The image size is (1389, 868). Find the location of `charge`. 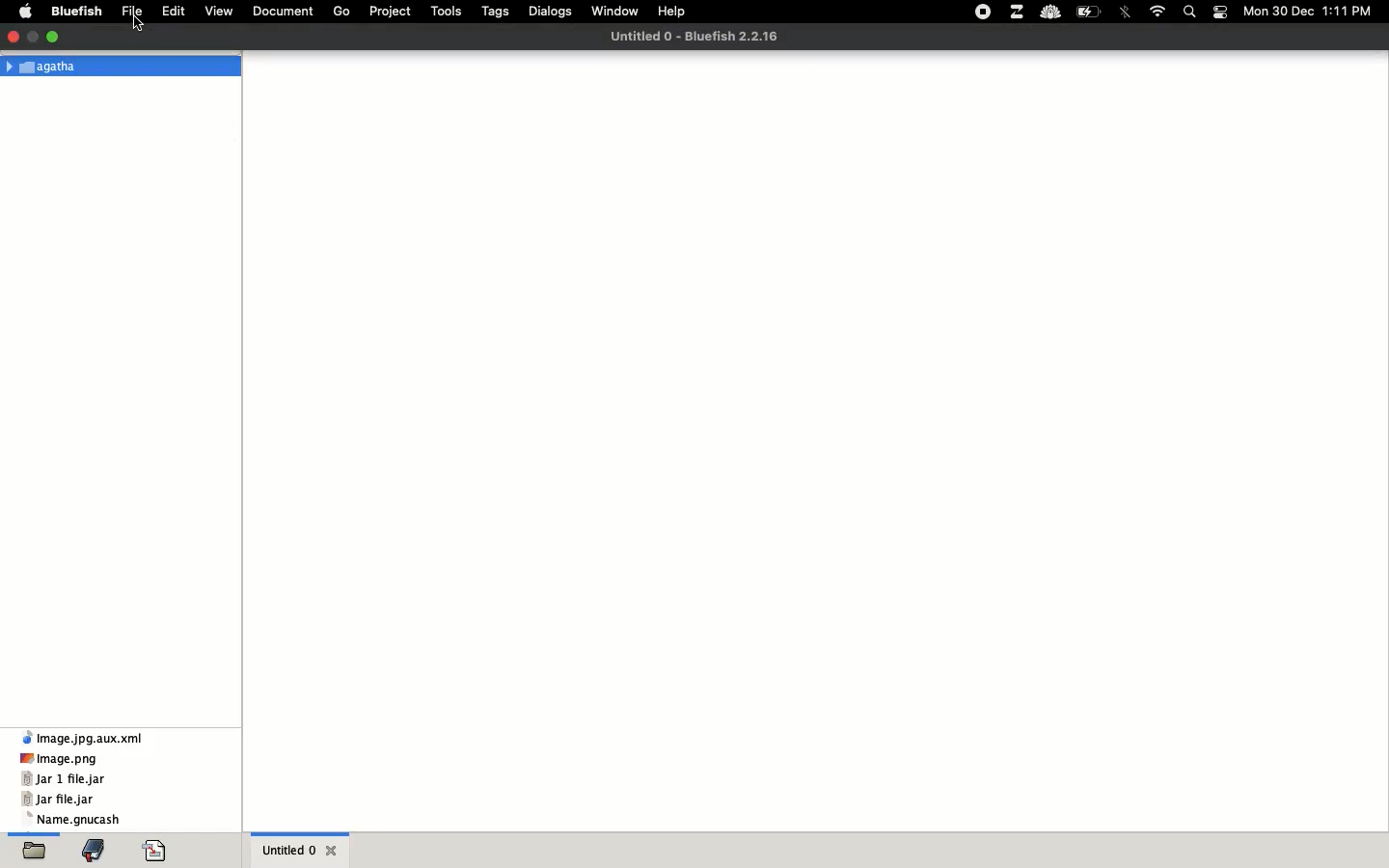

charge is located at coordinates (1093, 10).